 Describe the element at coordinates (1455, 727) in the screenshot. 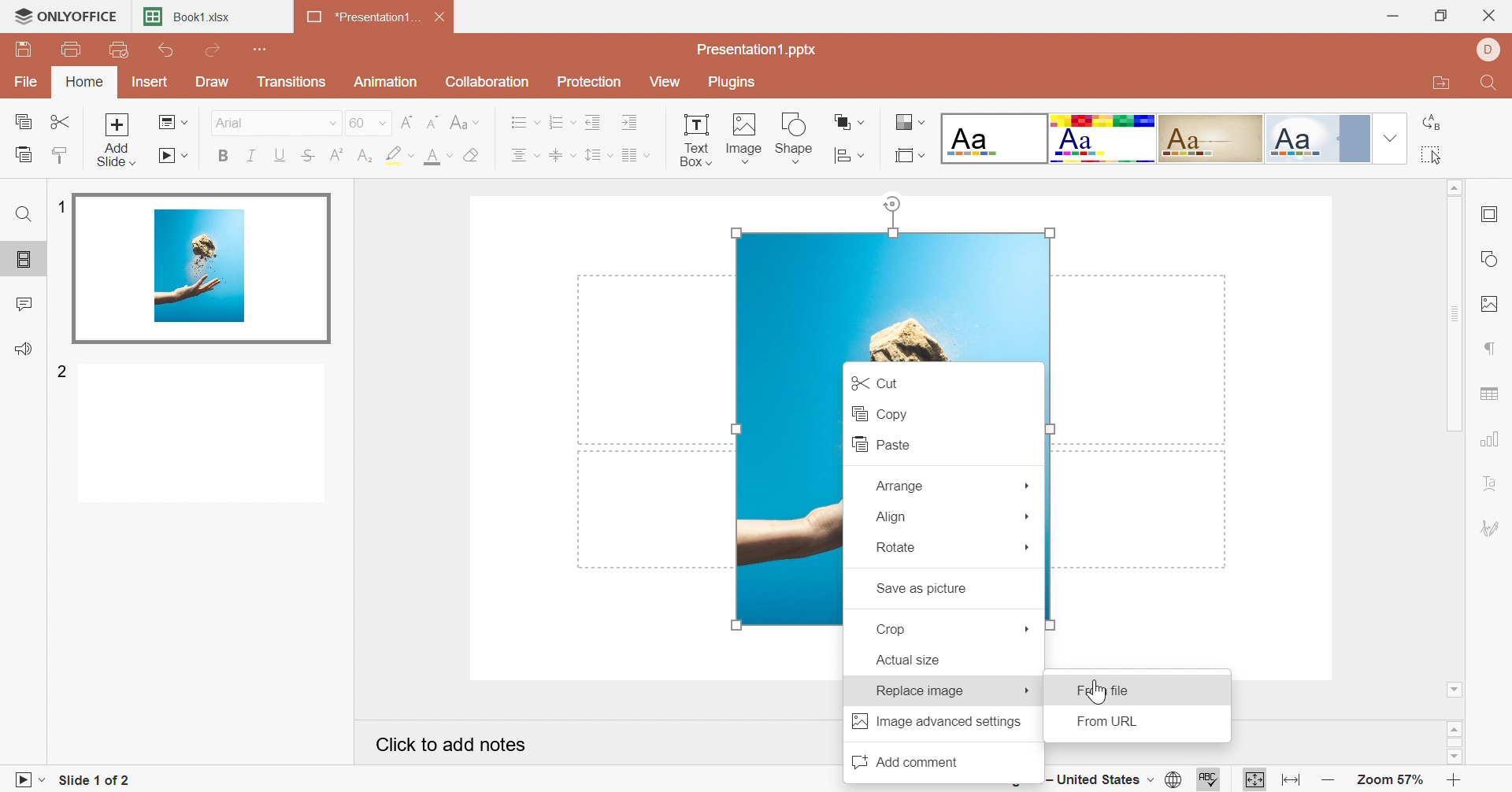

I see `scroll up` at that location.